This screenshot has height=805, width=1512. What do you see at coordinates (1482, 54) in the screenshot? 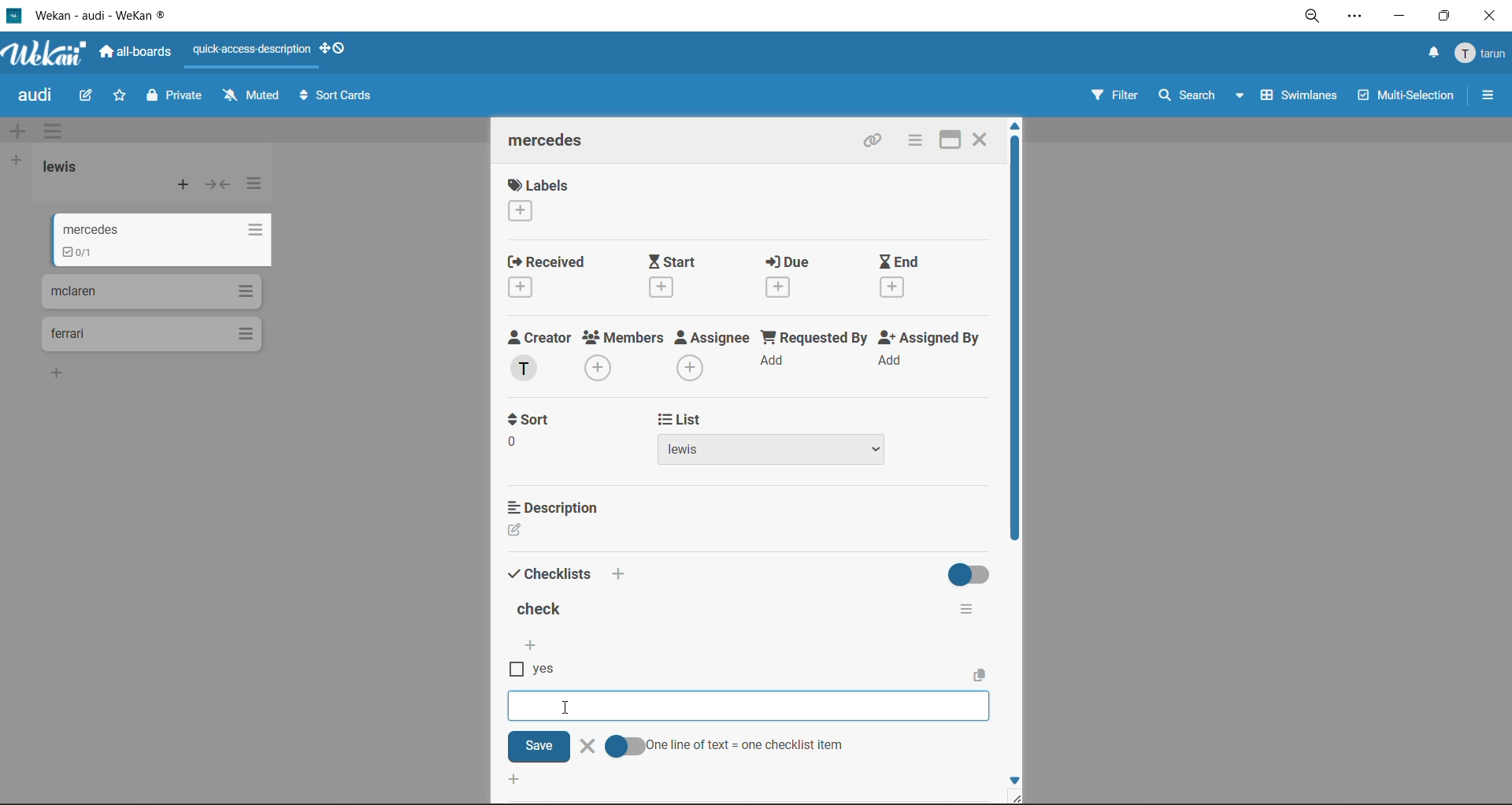
I see `menu` at bounding box center [1482, 54].